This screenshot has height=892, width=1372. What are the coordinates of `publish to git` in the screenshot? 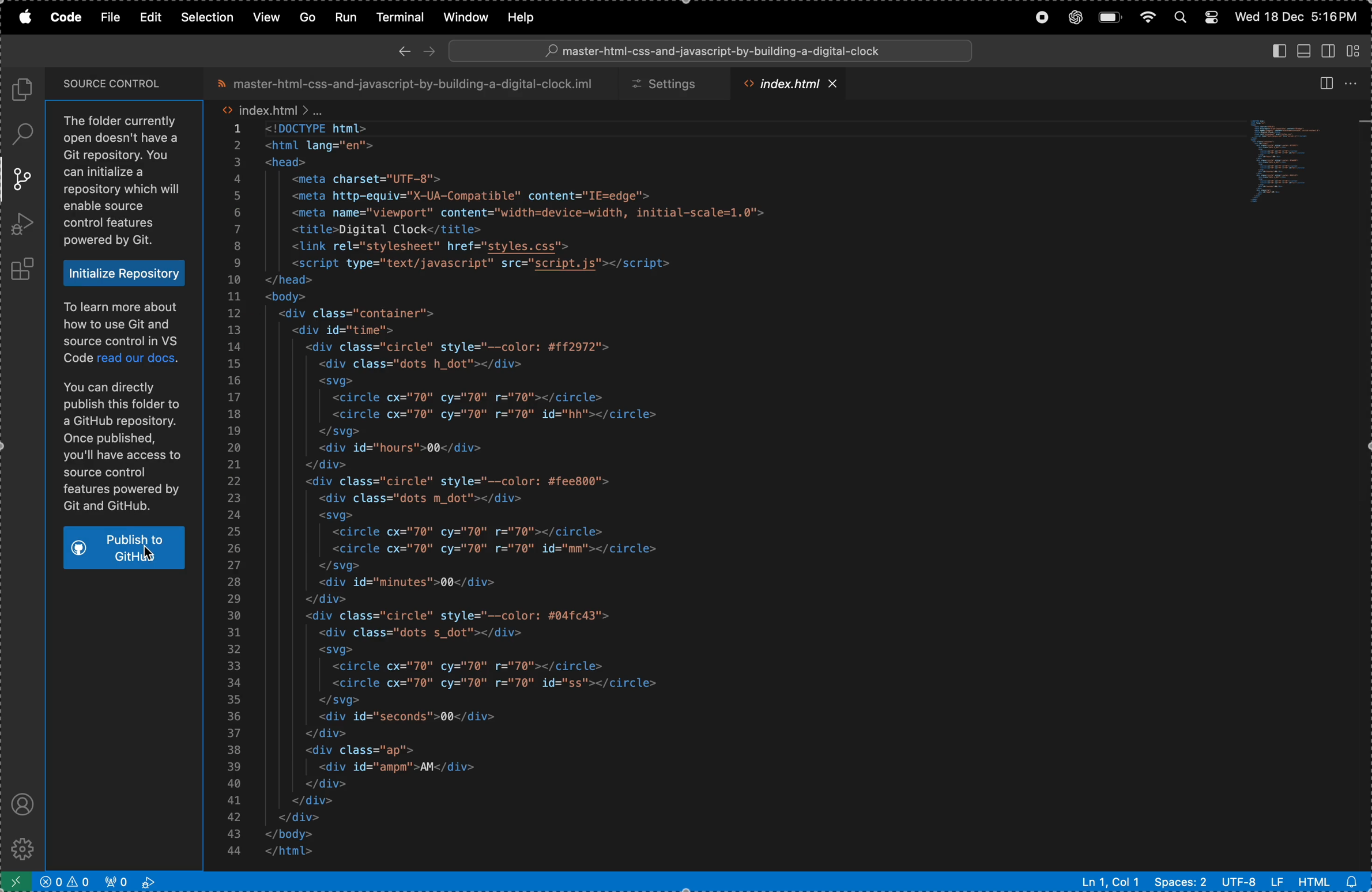 It's located at (126, 549).